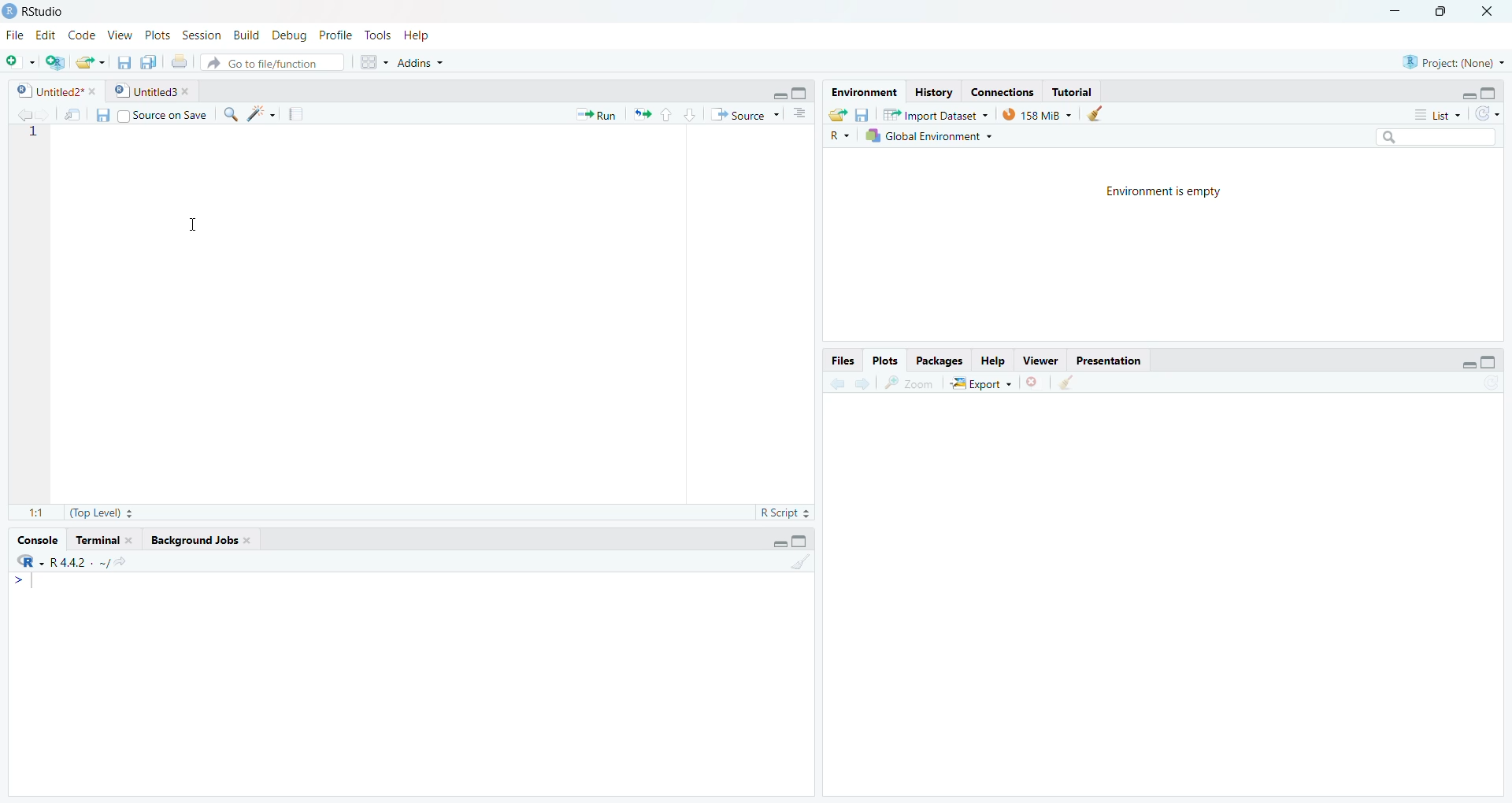 This screenshot has width=1512, height=803. What do you see at coordinates (888, 360) in the screenshot?
I see `Plots` at bounding box center [888, 360].